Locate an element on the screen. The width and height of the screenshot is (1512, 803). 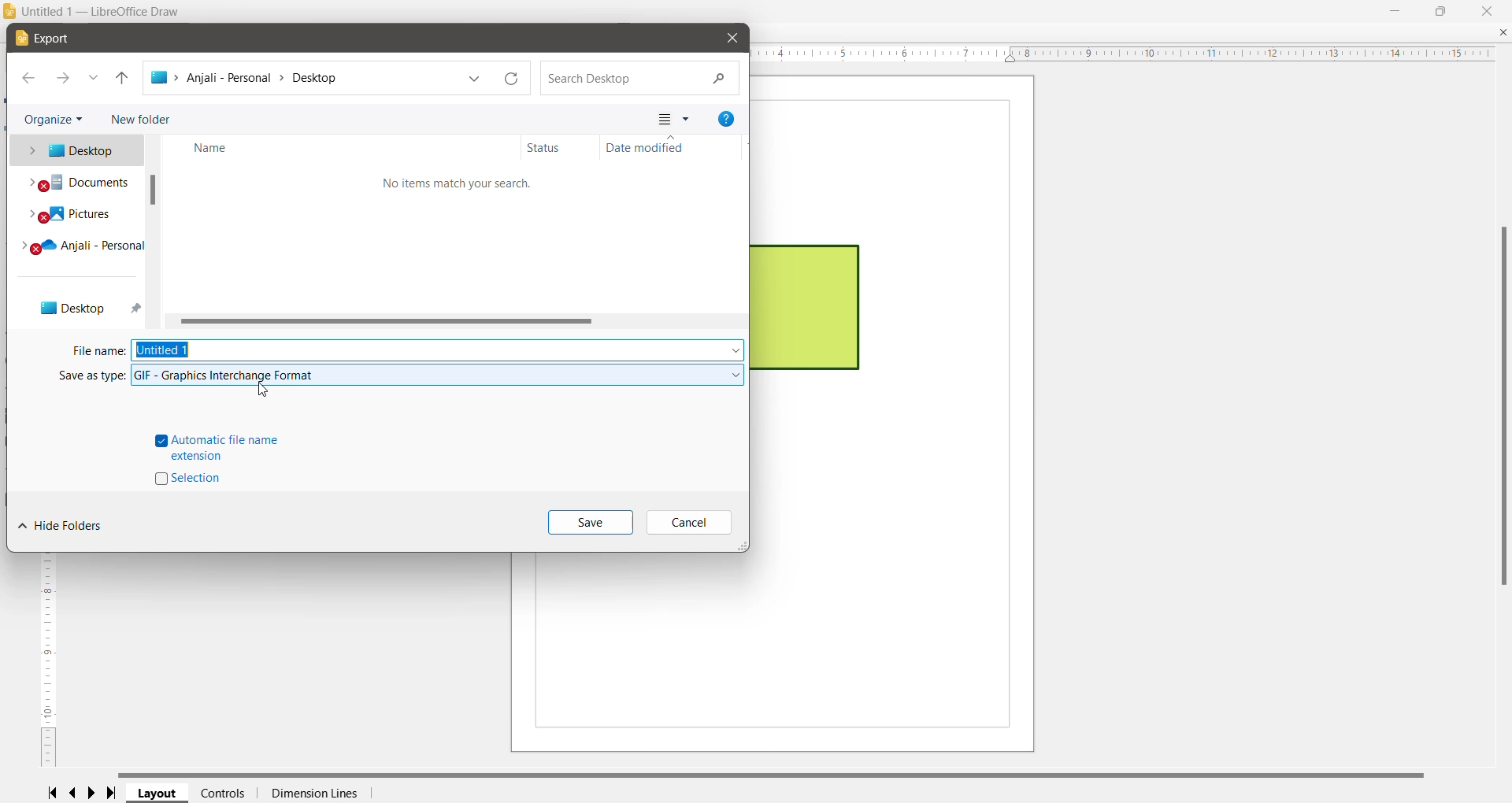
Select required file type from the list is located at coordinates (438, 375).